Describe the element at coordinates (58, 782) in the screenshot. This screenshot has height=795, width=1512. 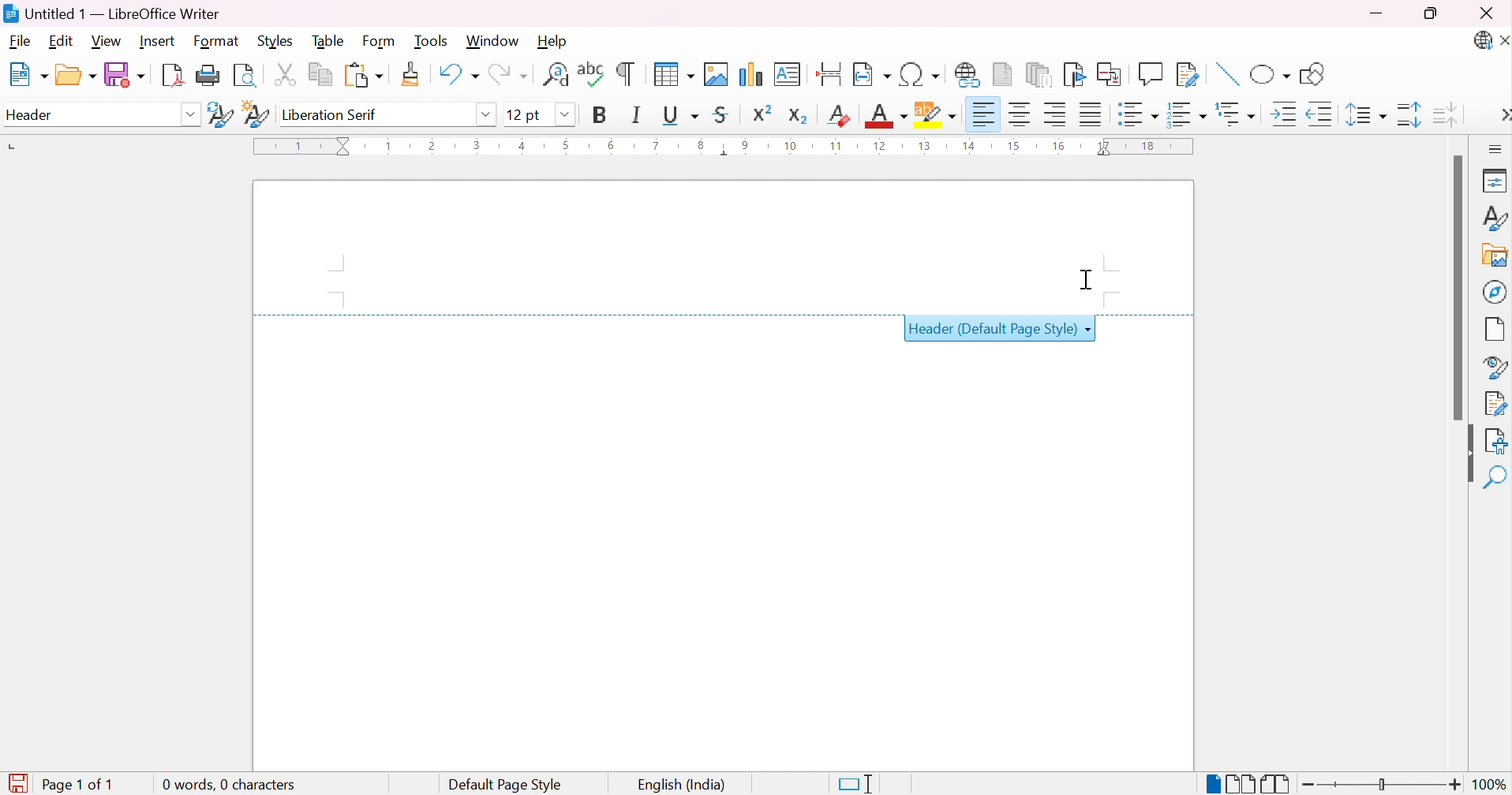
I see `Page 1 of 1` at that location.